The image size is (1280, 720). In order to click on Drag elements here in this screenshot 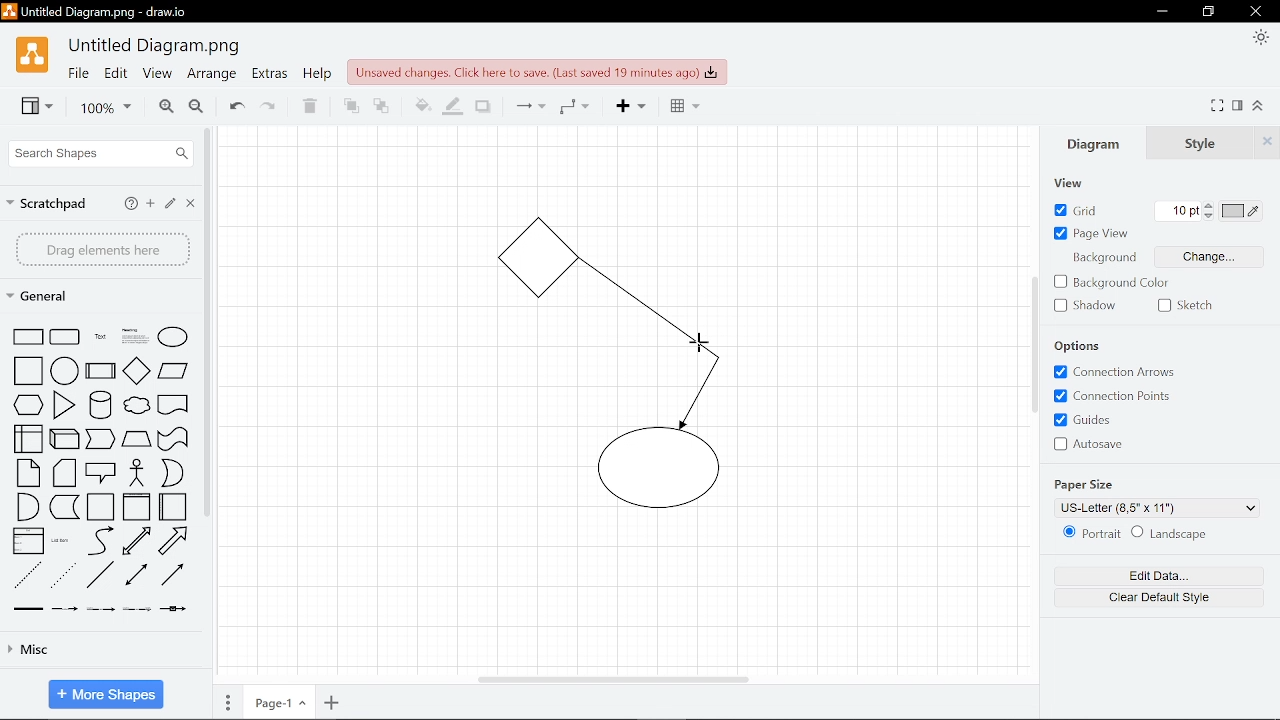, I will do `click(102, 249)`.